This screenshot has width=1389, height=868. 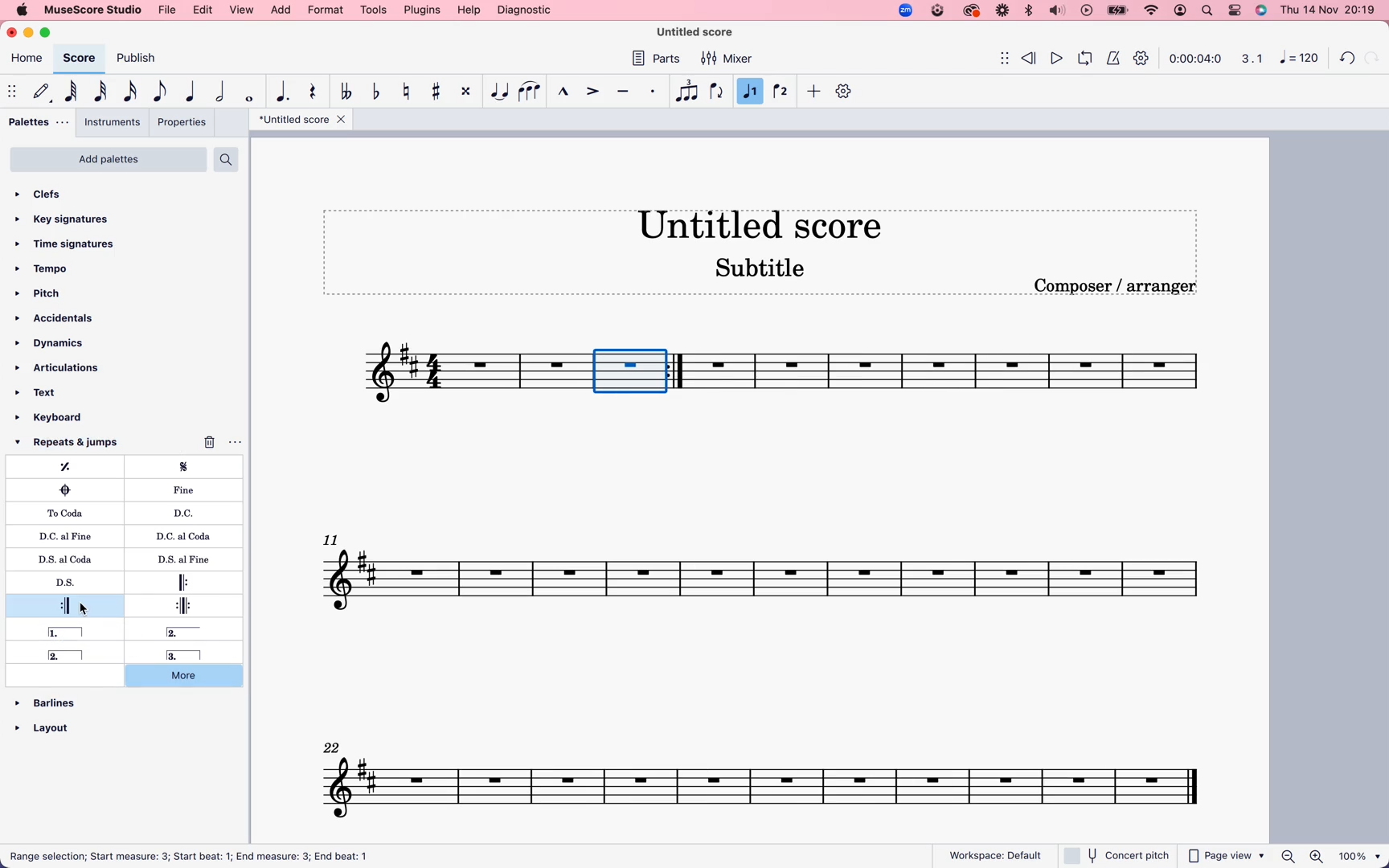 I want to click on pitch, so click(x=50, y=294).